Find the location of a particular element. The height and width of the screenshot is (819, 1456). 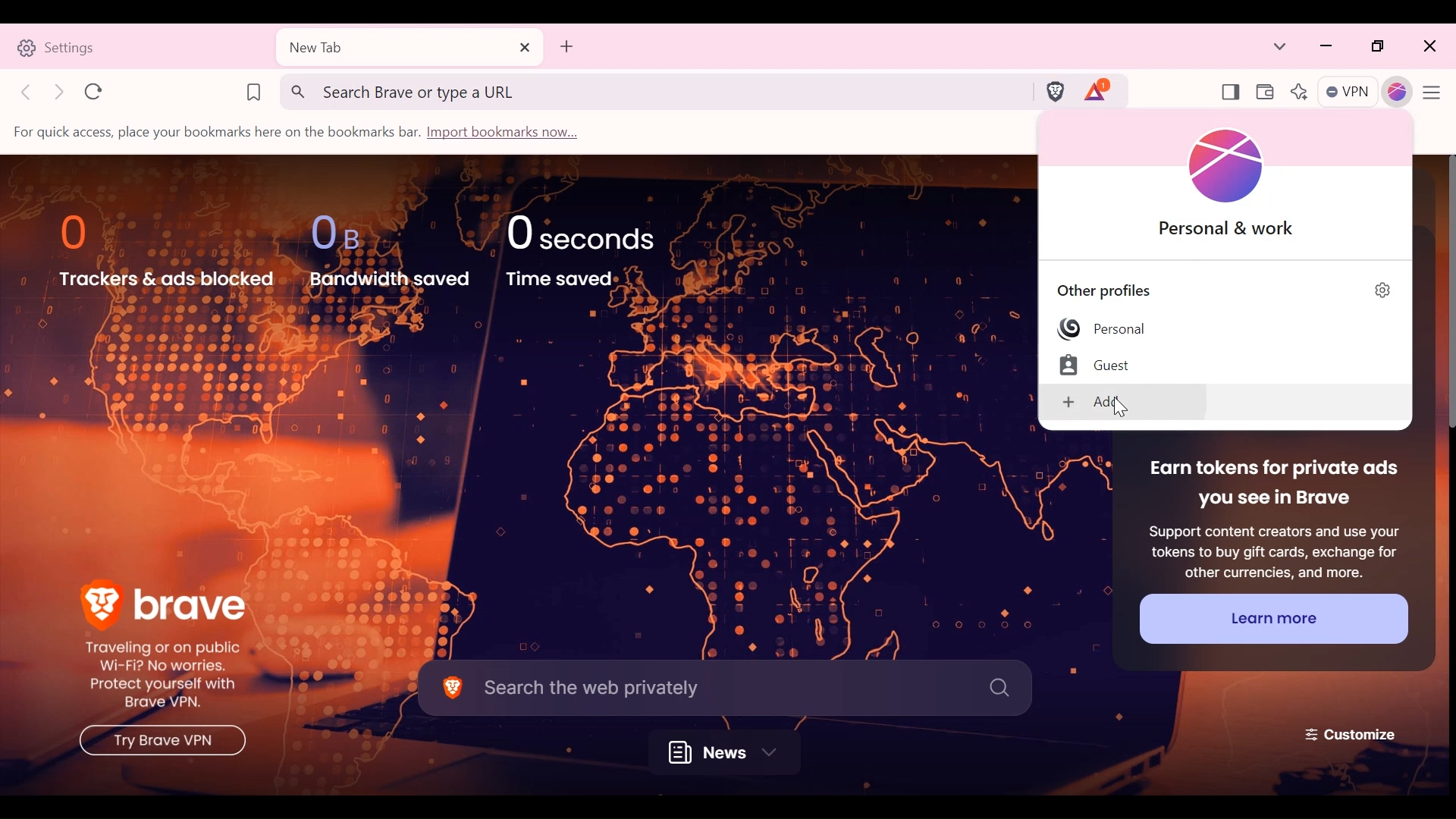

0 Trackers & ads Blocked is located at coordinates (168, 250).